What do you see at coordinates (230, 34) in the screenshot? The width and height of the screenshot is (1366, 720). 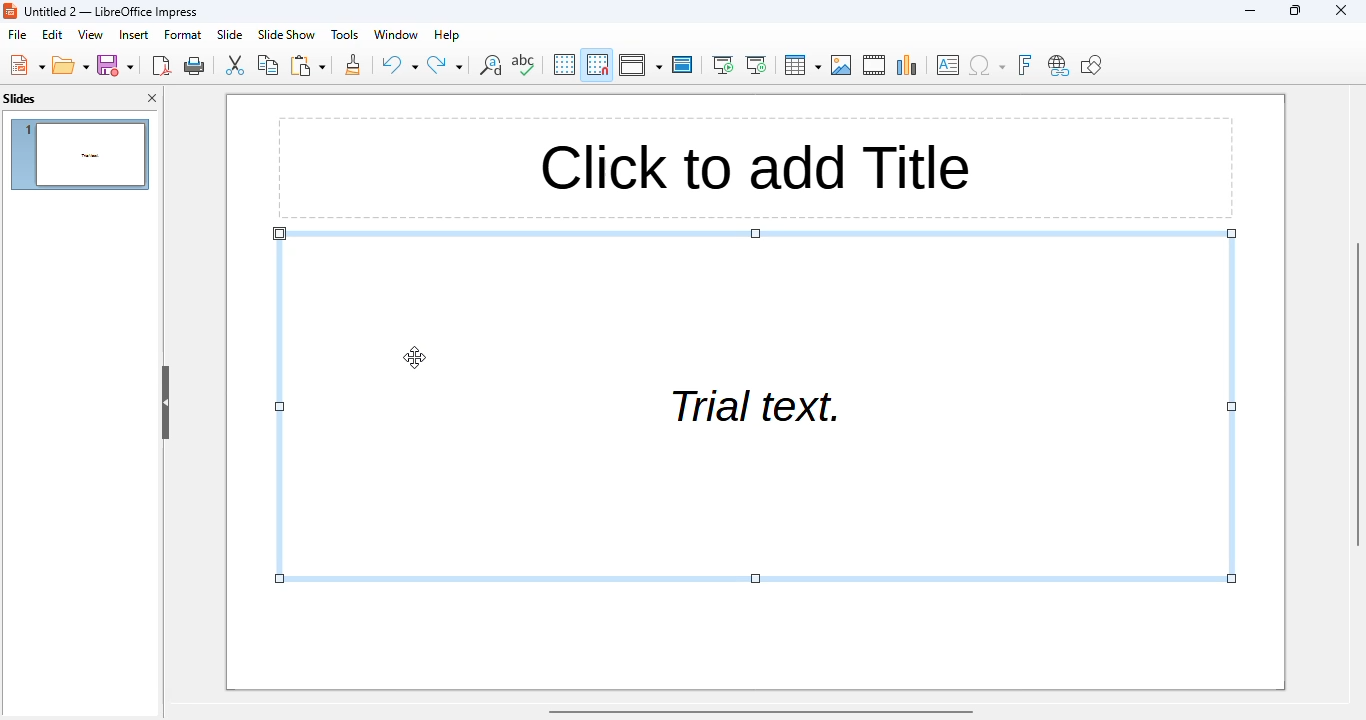 I see `slide` at bounding box center [230, 34].